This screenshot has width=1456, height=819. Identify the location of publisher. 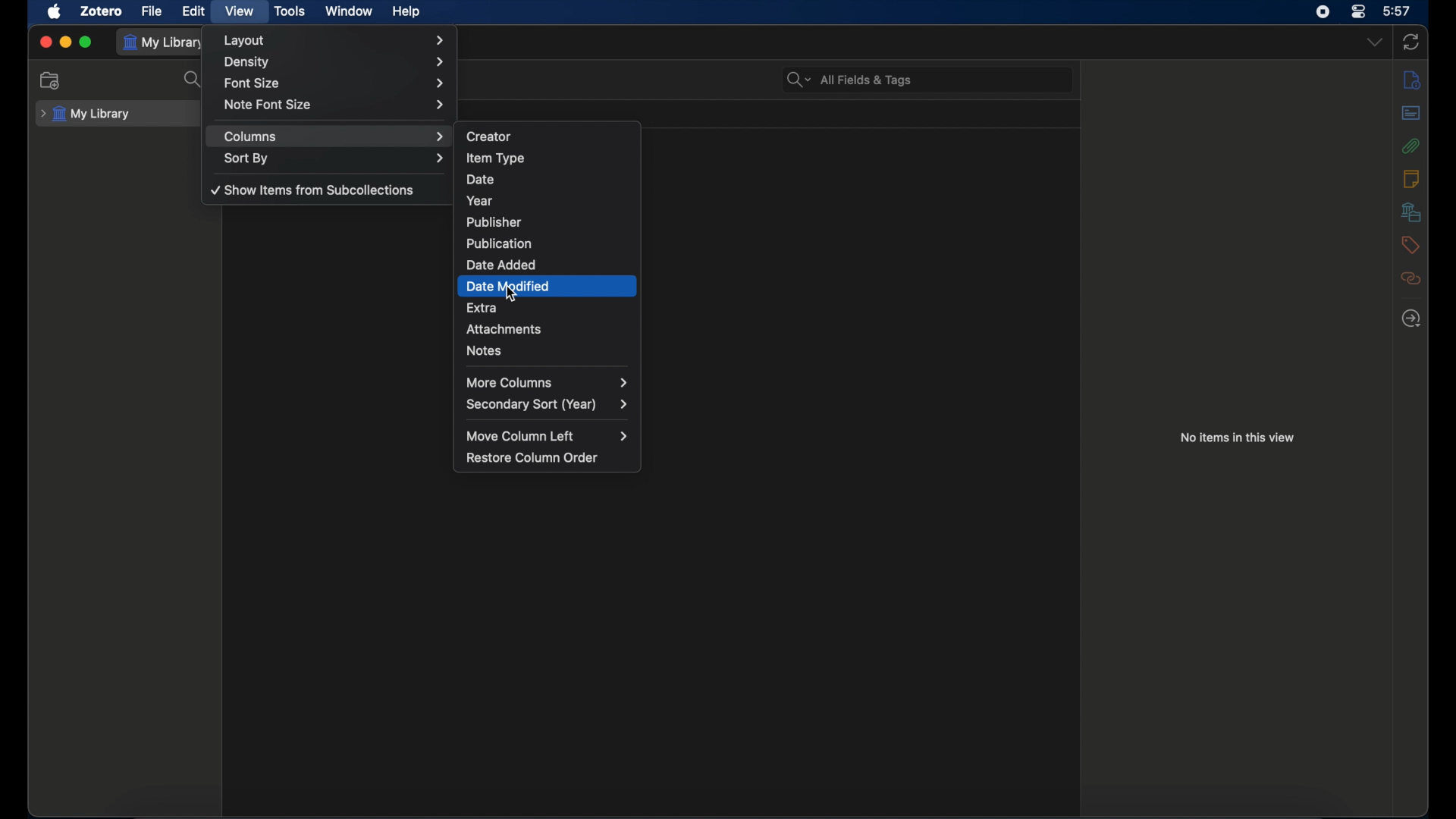
(549, 221).